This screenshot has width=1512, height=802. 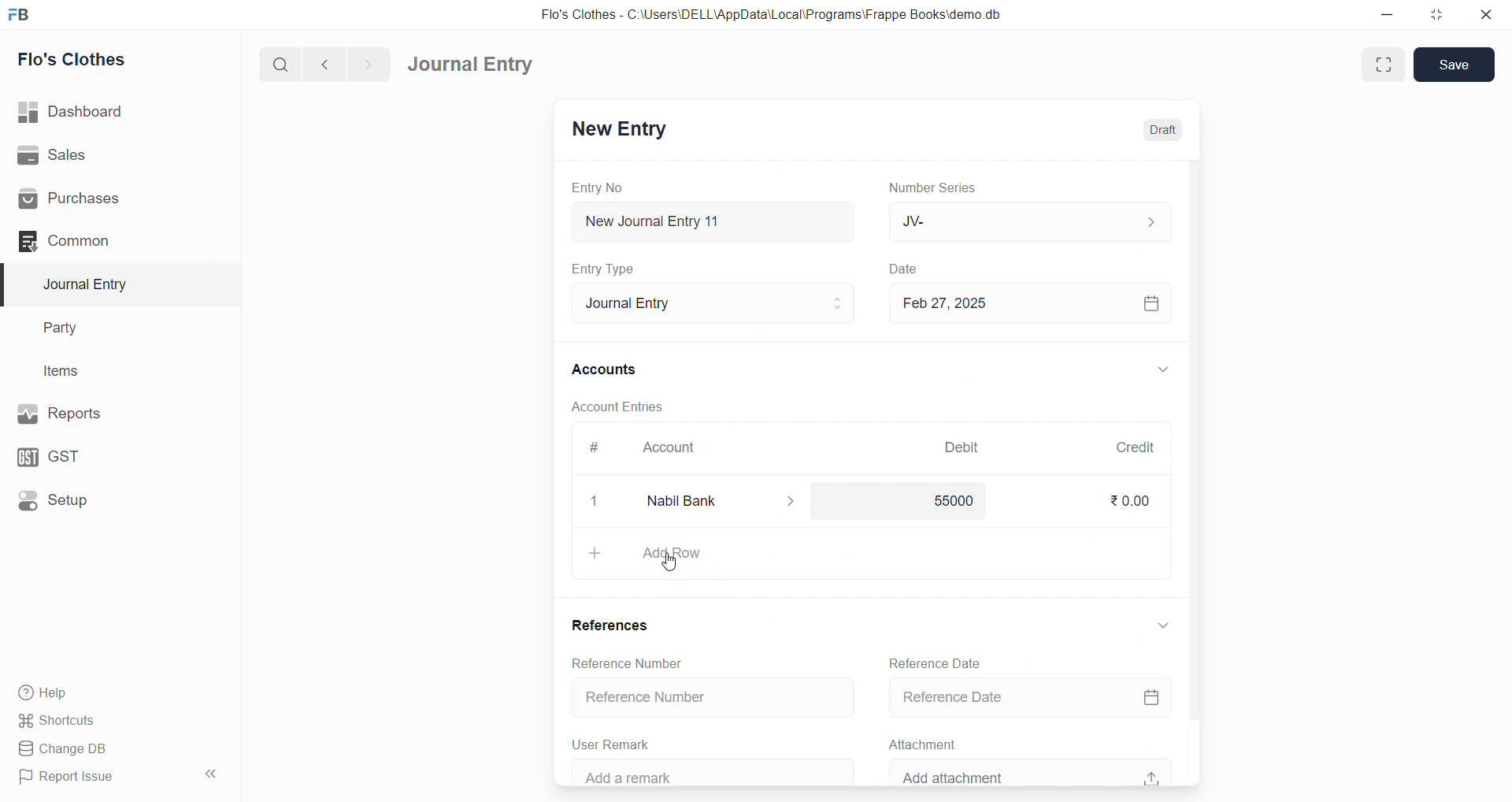 I want to click on User Remark, so click(x=617, y=744).